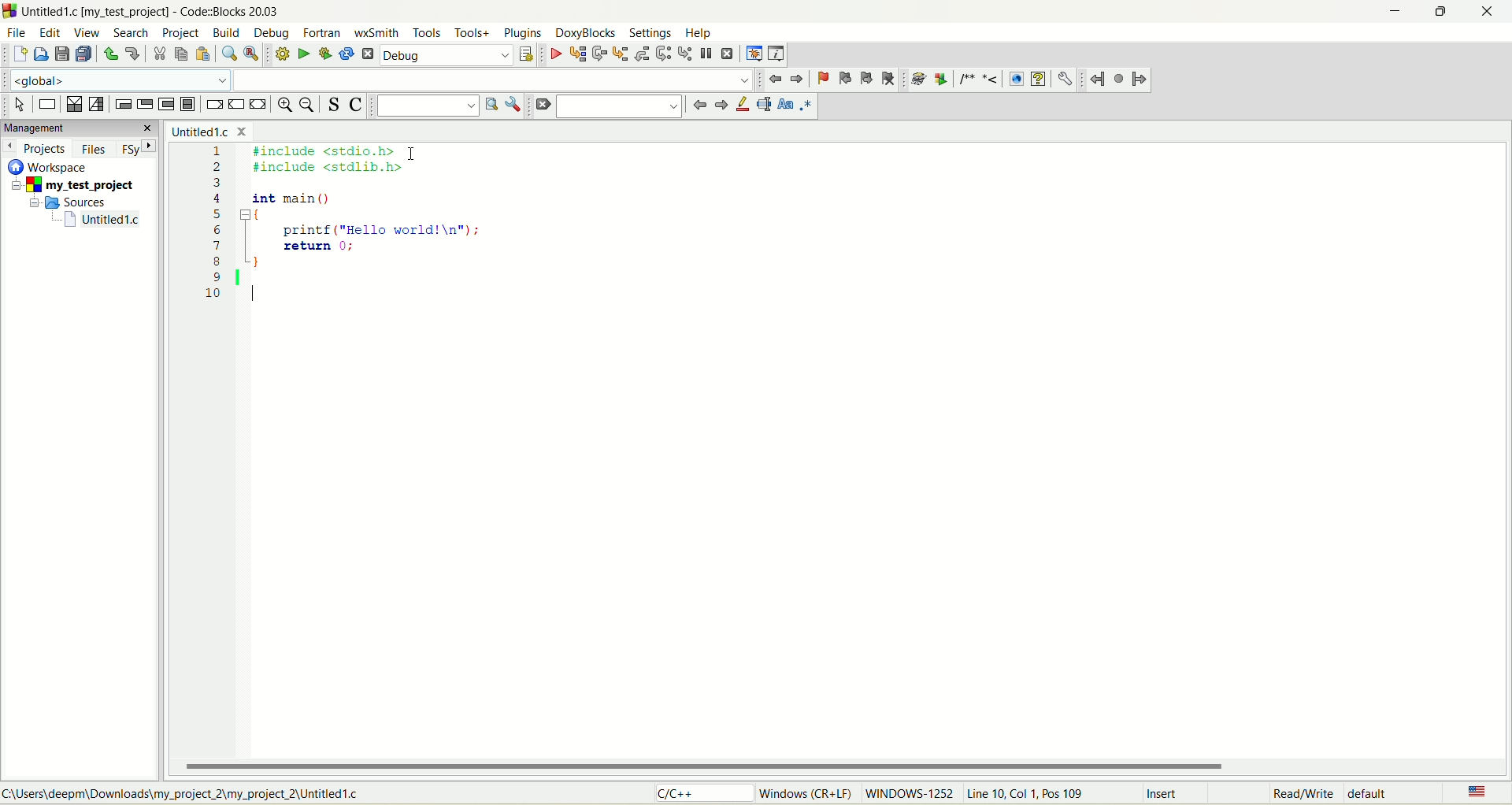 Image resolution: width=1512 pixels, height=805 pixels. Describe the element at coordinates (17, 32) in the screenshot. I see `file` at that location.